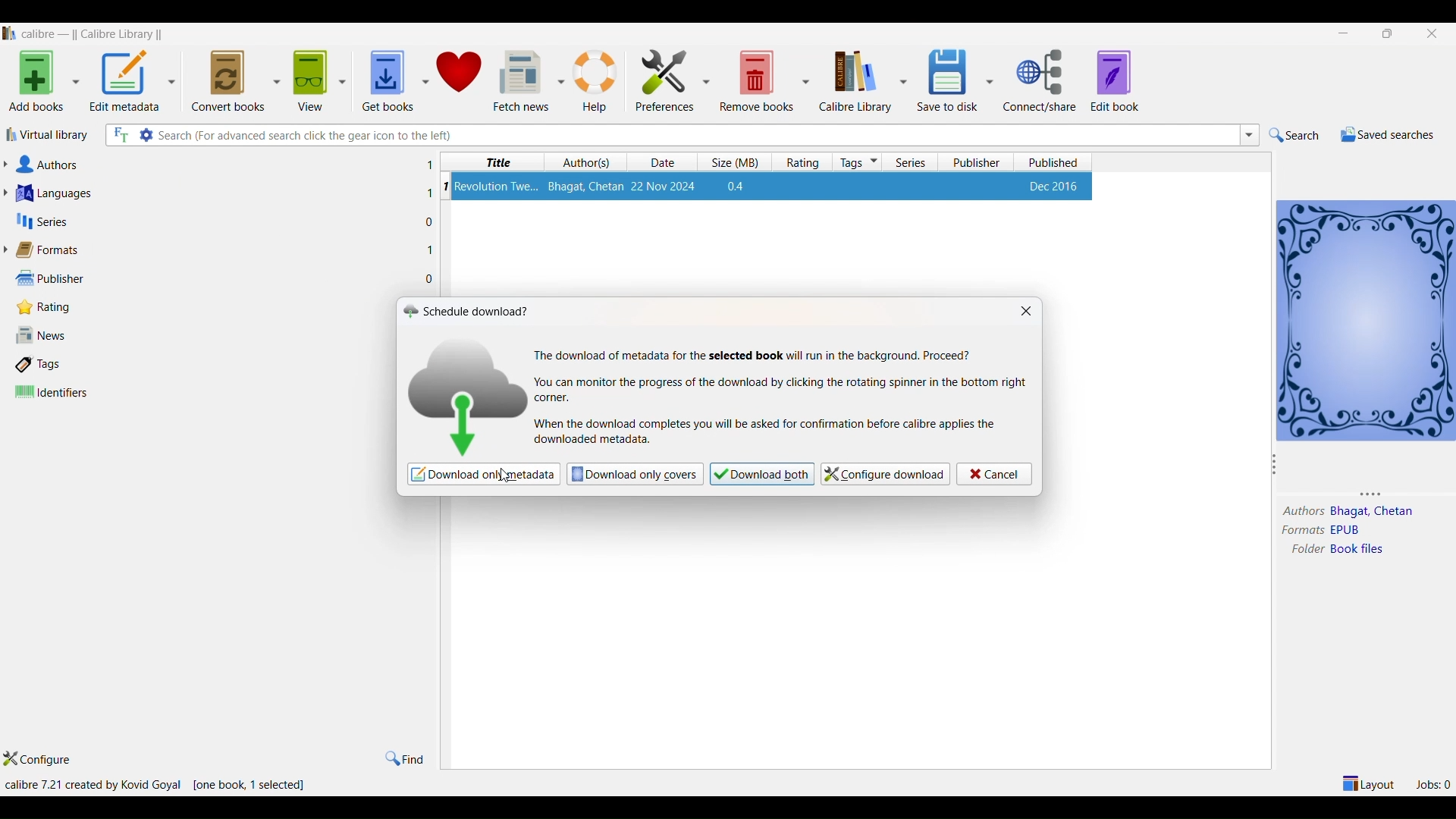 Image resolution: width=1456 pixels, height=819 pixels. Describe the element at coordinates (1373, 510) in the screenshot. I see `authors name` at that location.